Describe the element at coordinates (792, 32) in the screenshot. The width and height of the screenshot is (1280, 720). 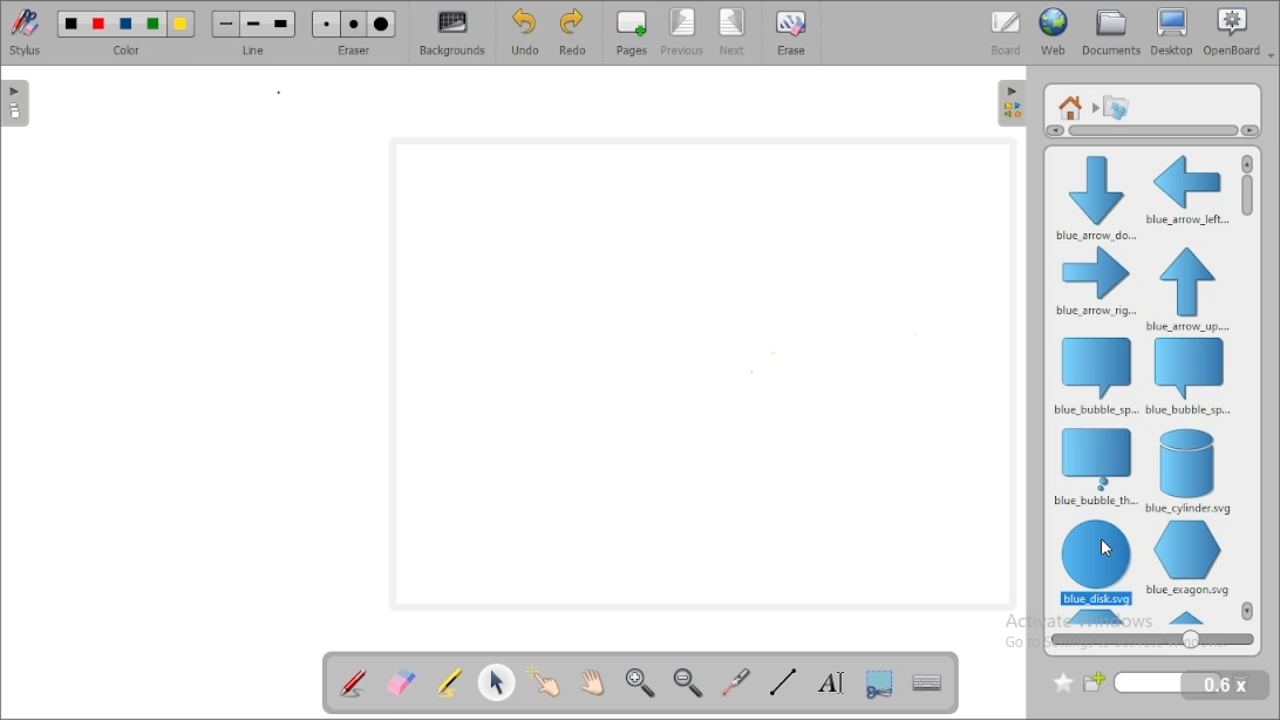
I see `erase` at that location.